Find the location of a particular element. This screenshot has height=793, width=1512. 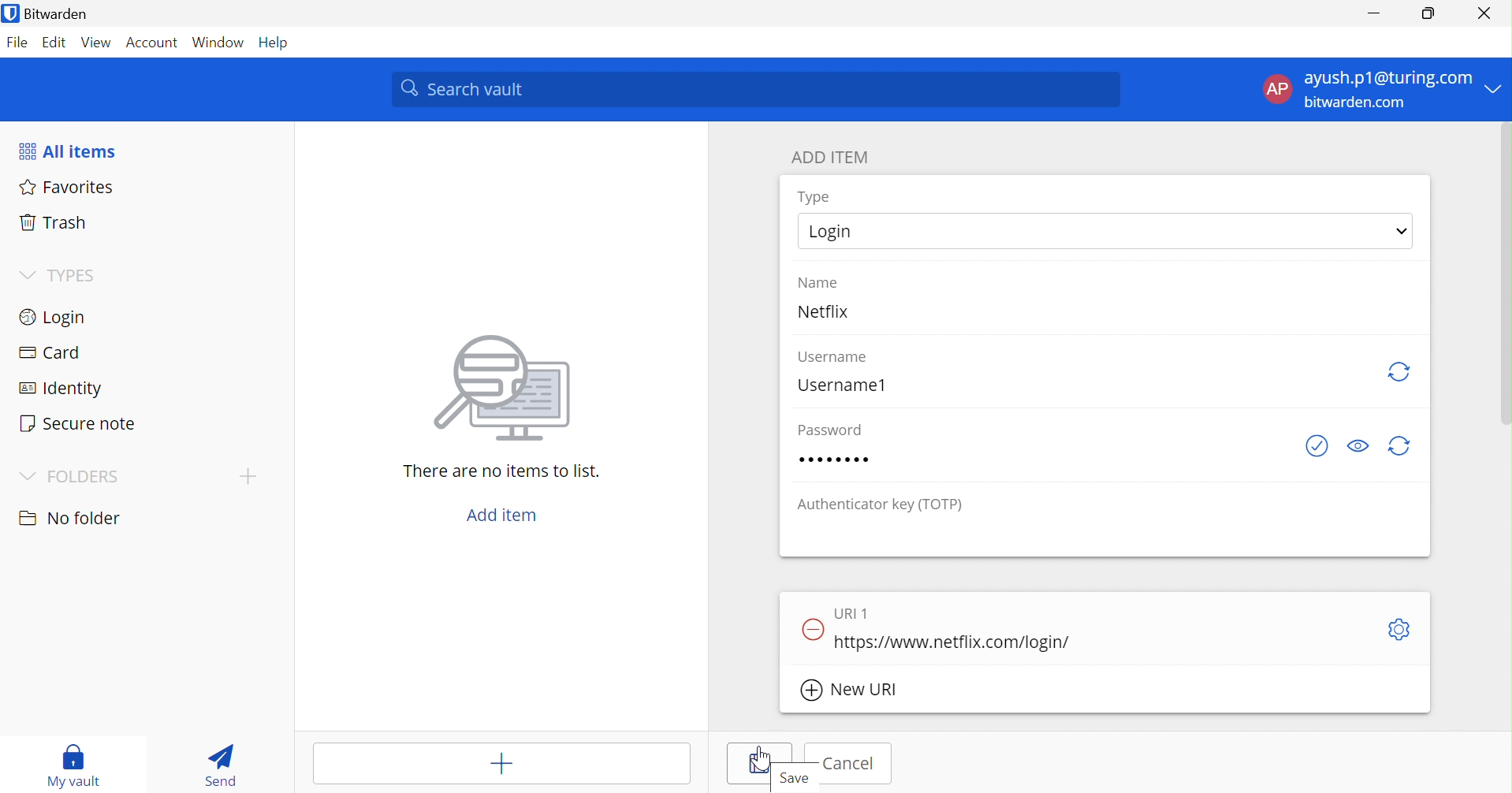

Add item is located at coordinates (501, 763).